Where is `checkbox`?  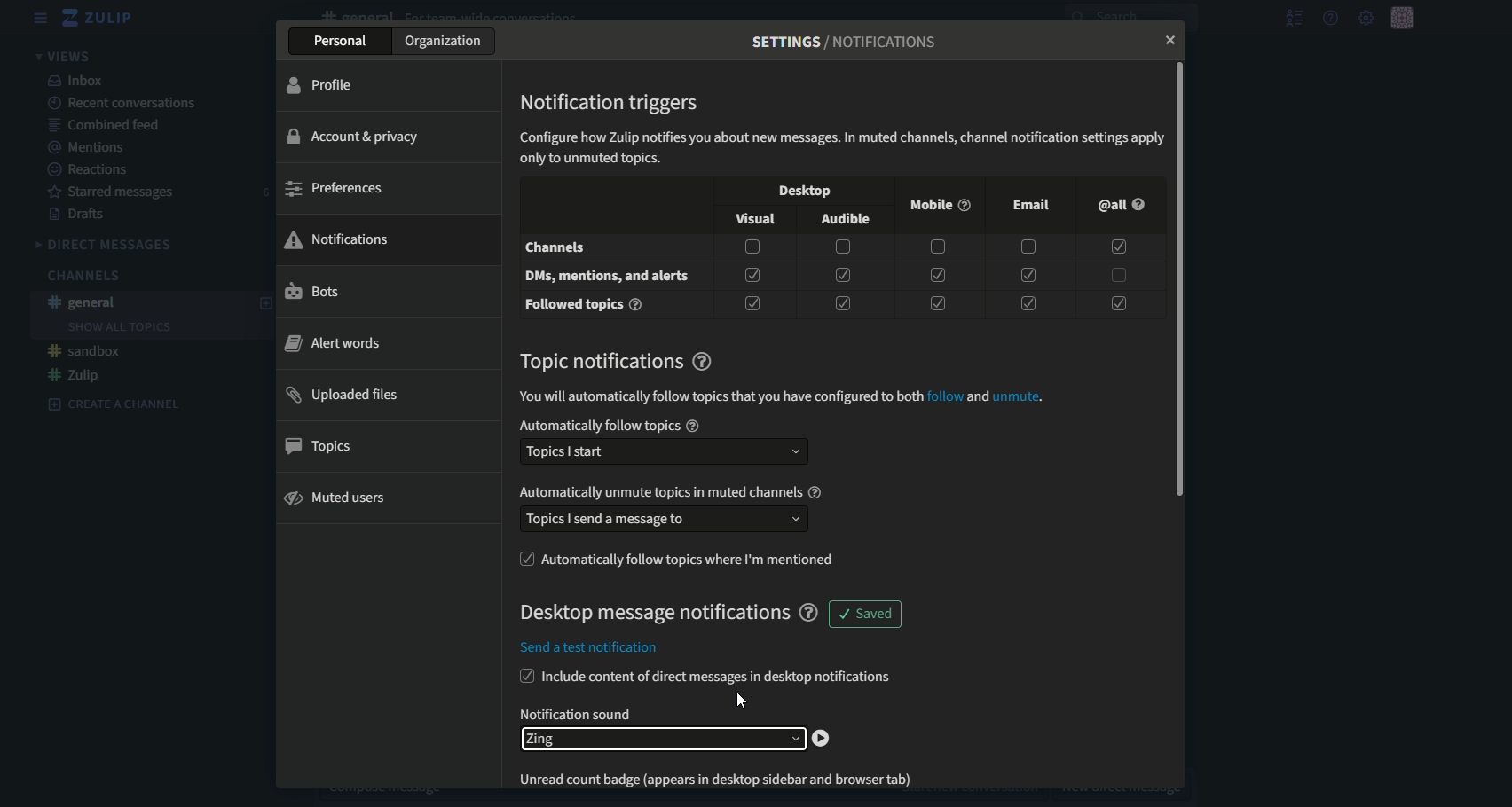
checkbox is located at coordinates (935, 247).